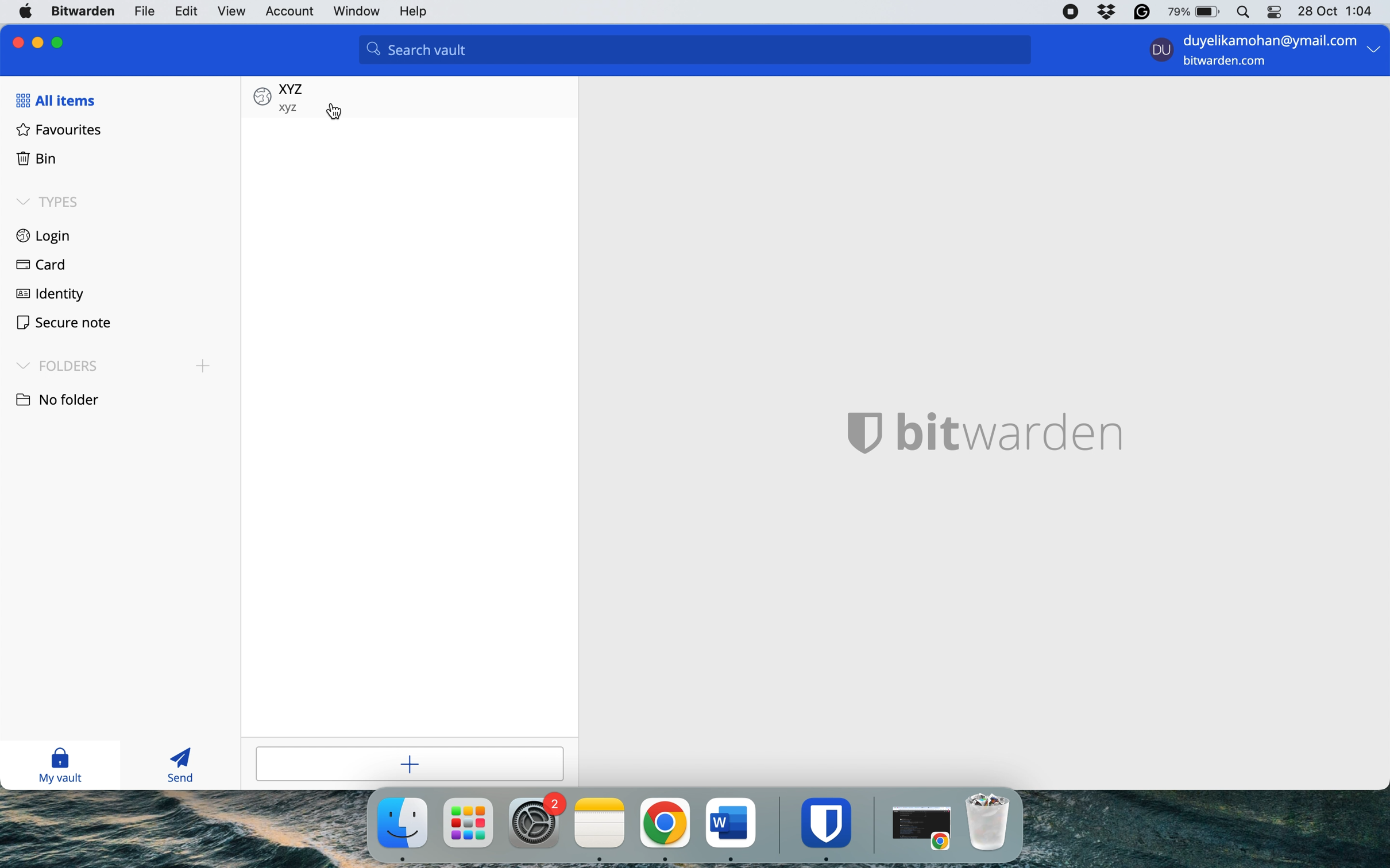 The width and height of the screenshot is (1390, 868). What do you see at coordinates (1241, 13) in the screenshot?
I see `spotlight search` at bounding box center [1241, 13].